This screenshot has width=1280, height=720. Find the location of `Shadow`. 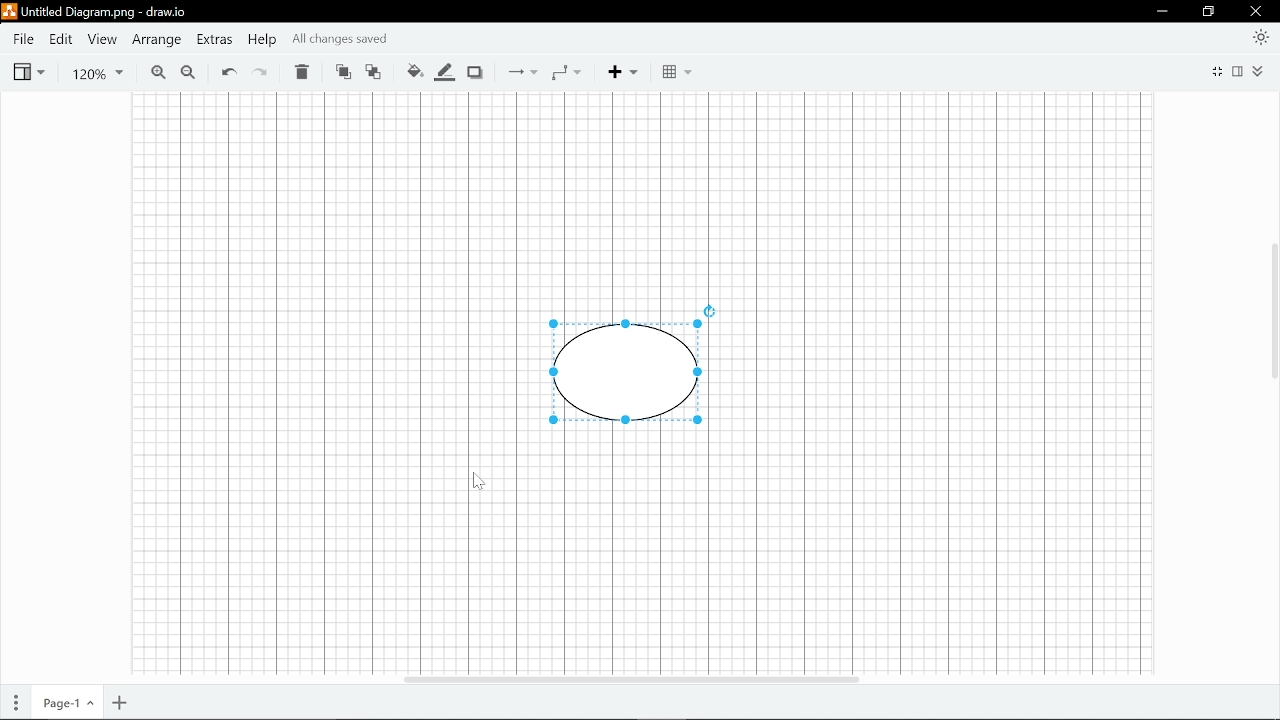

Shadow is located at coordinates (473, 73).